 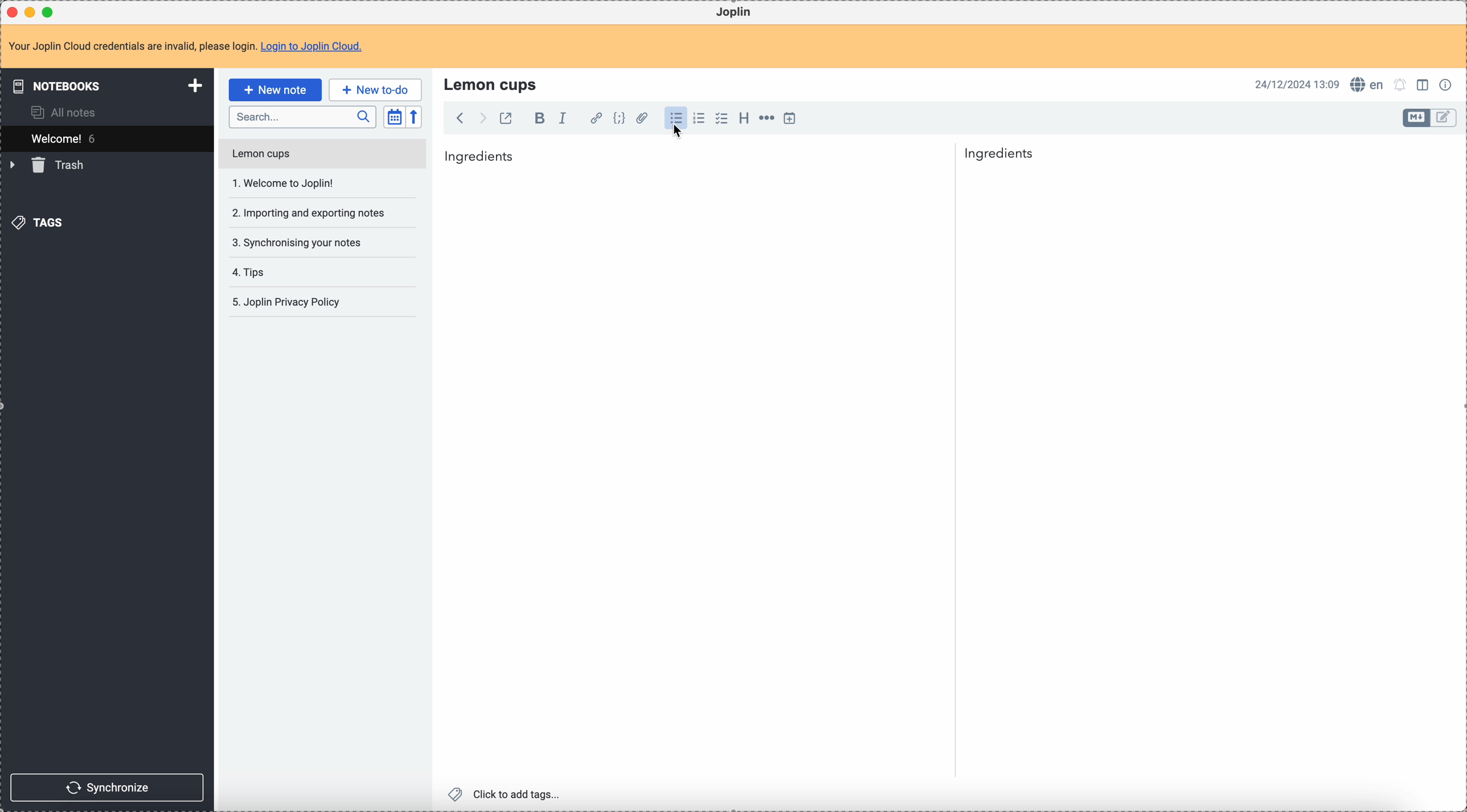 I want to click on toggle edit layout, so click(x=1417, y=118).